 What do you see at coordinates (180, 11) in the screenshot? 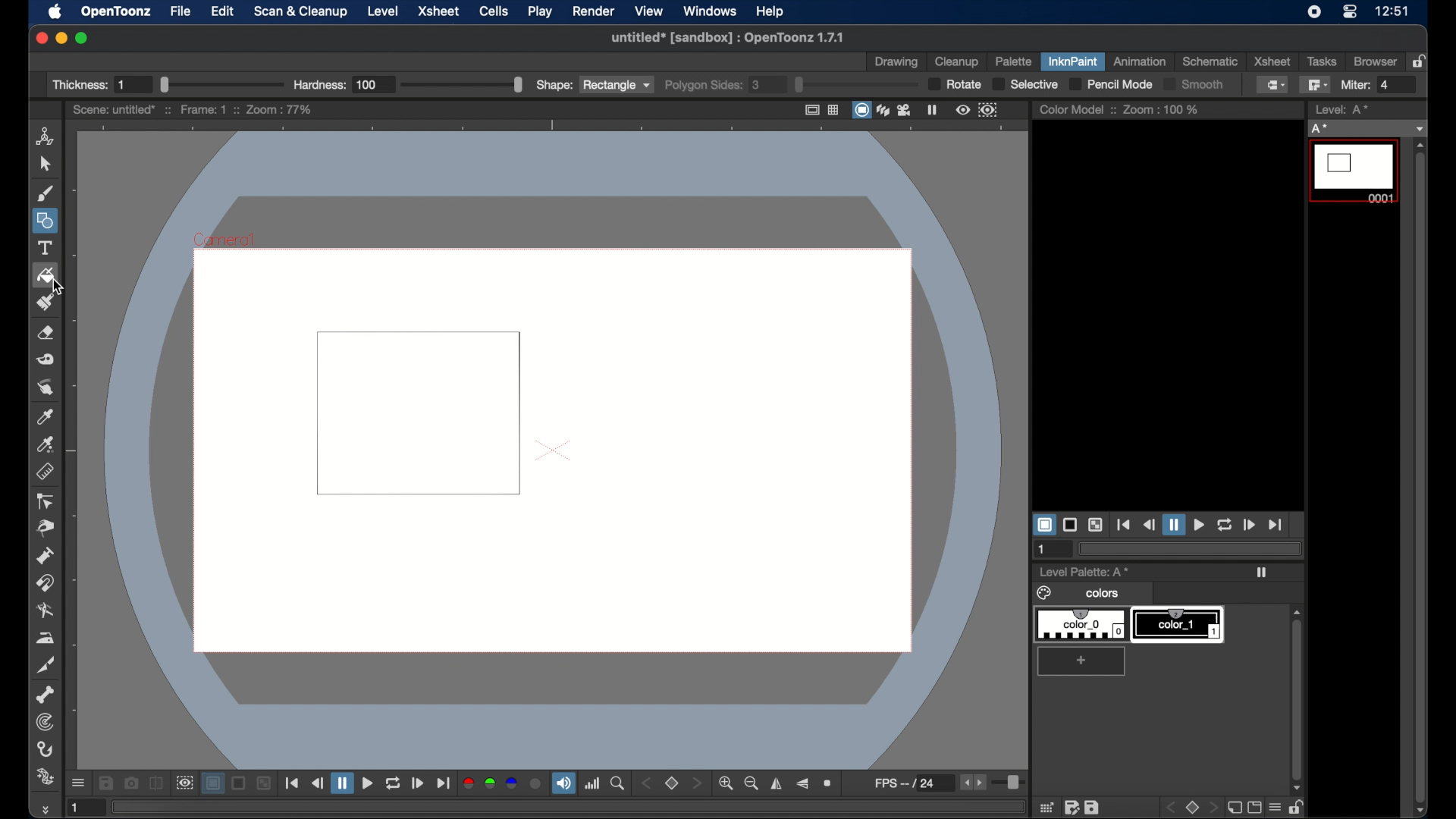
I see `file` at bounding box center [180, 11].